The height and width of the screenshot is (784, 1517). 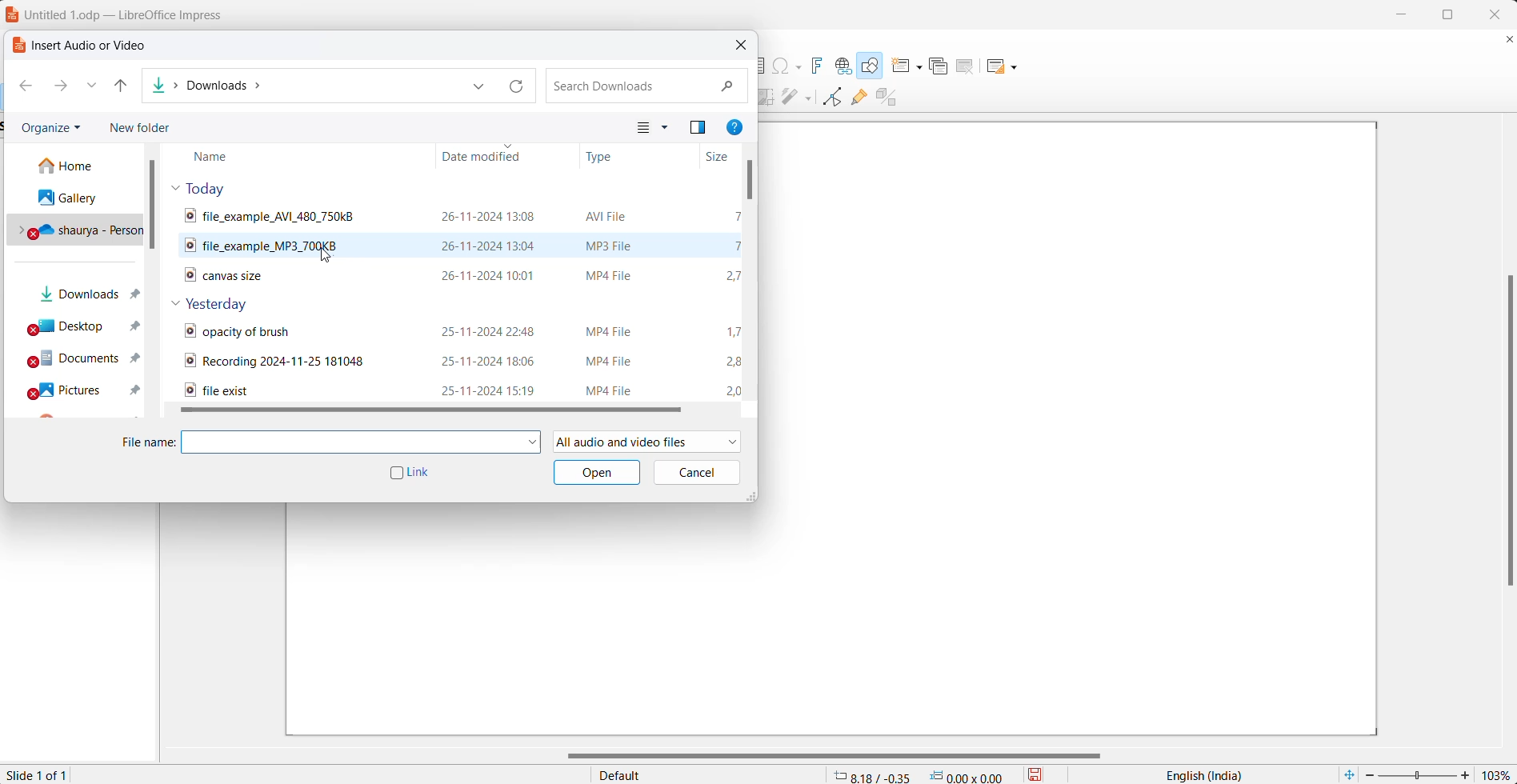 What do you see at coordinates (732, 274) in the screenshot?
I see `video file size` at bounding box center [732, 274].